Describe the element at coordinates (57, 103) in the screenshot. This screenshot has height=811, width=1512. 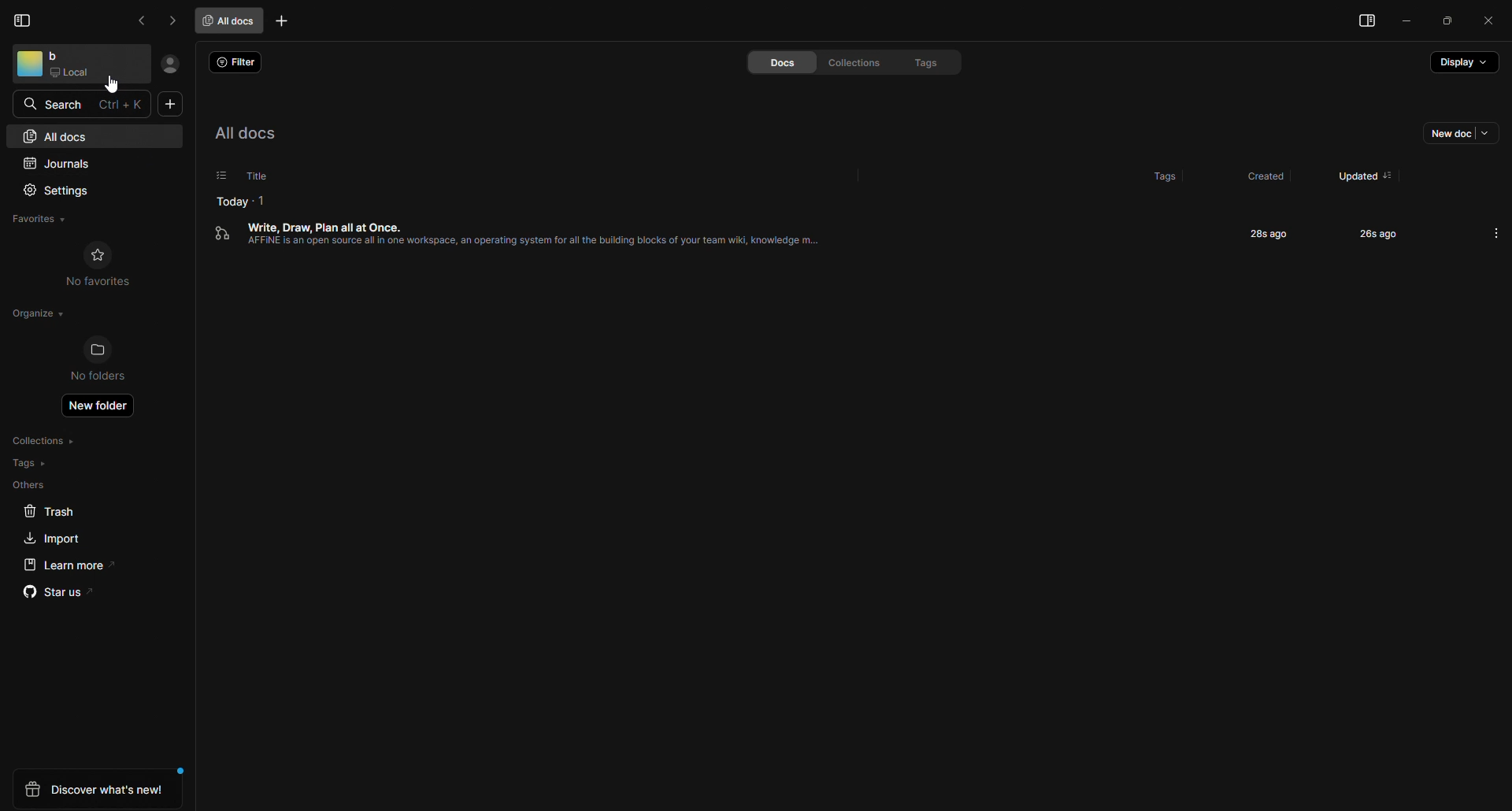
I see `search` at that location.